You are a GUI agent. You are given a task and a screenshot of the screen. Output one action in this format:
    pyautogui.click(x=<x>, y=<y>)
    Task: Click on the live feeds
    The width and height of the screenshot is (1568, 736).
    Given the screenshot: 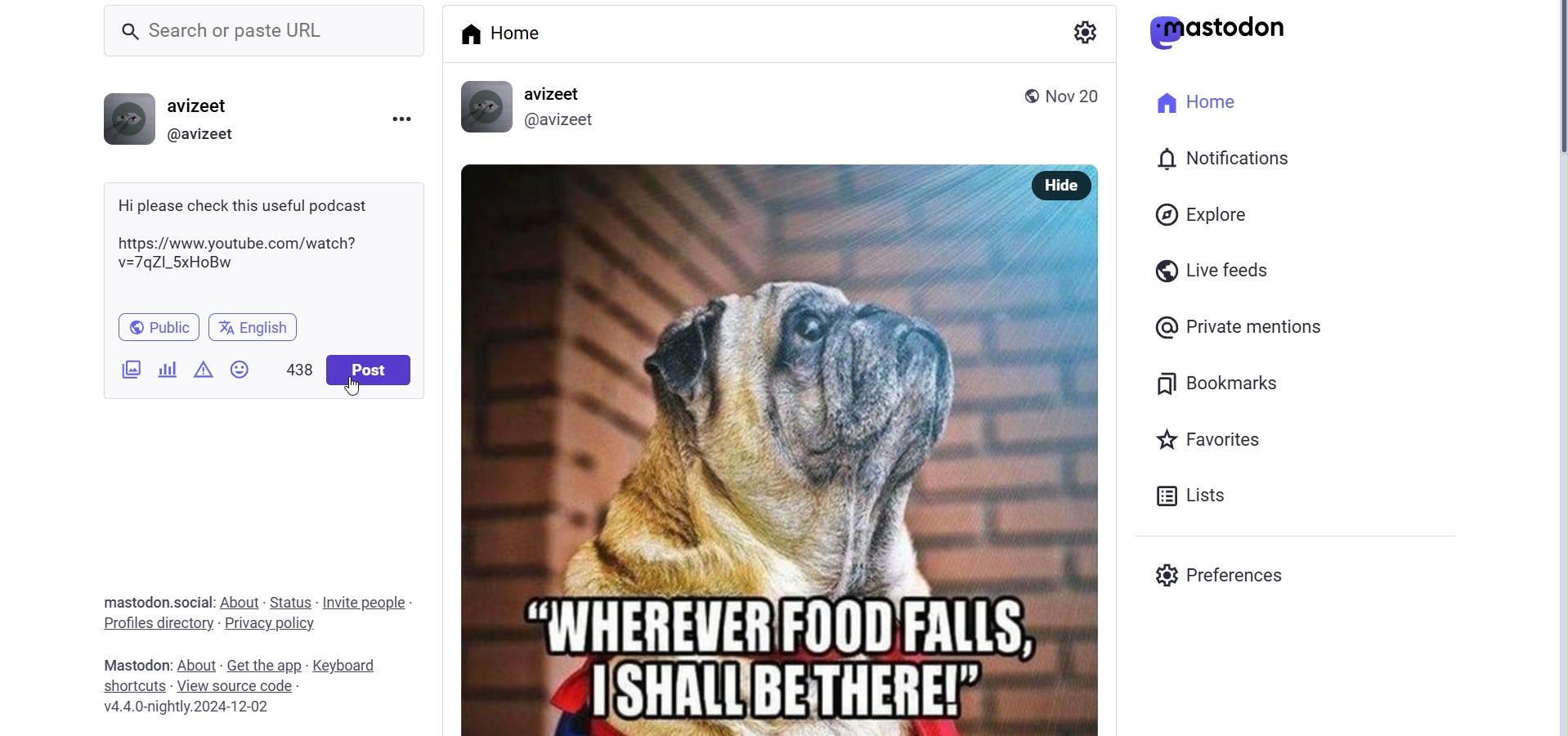 What is the action you would take?
    pyautogui.click(x=1207, y=268)
    